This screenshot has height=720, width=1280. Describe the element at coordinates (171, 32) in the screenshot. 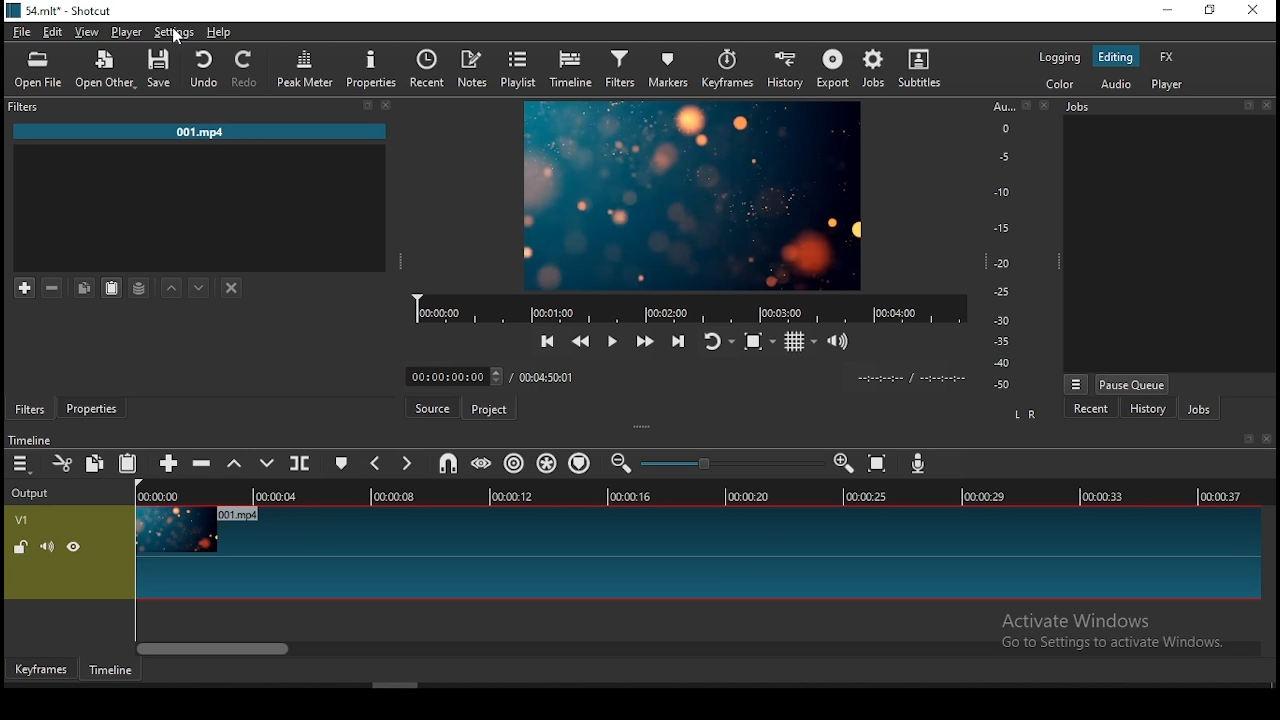

I see `settings` at that location.